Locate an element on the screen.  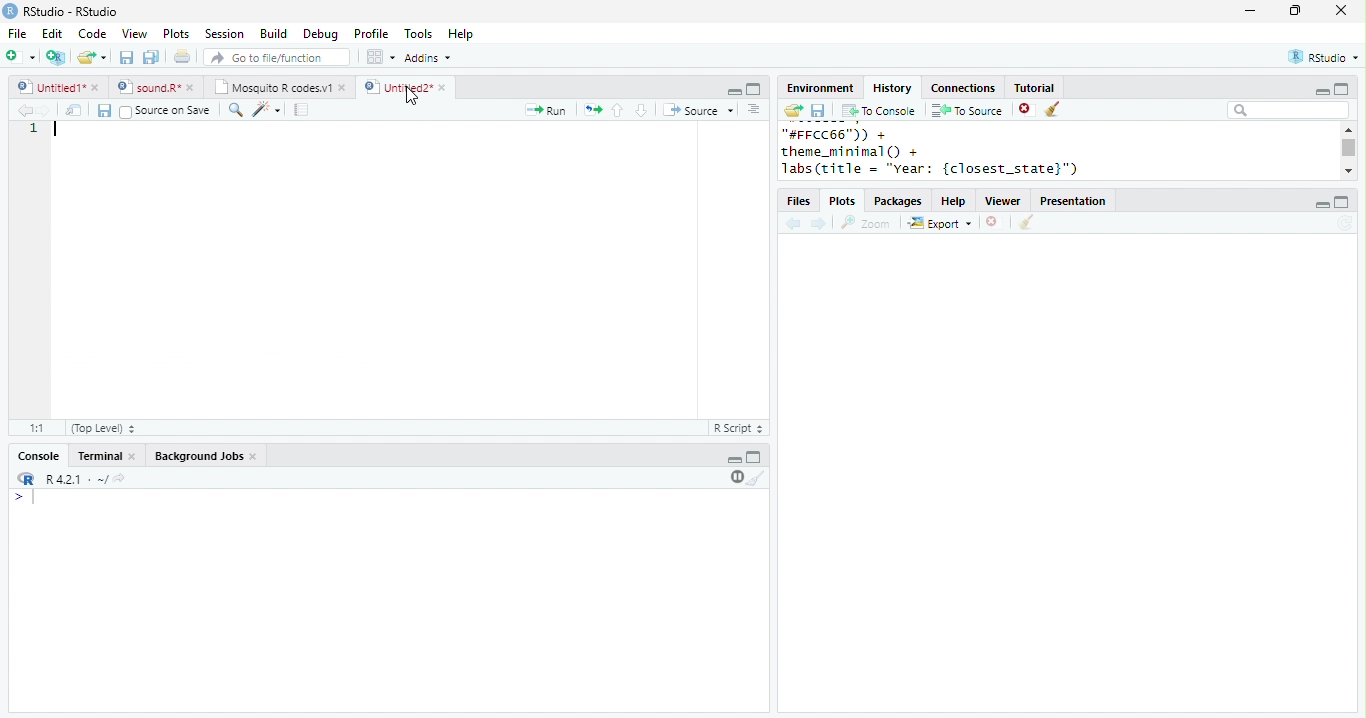
File is located at coordinates (17, 34).